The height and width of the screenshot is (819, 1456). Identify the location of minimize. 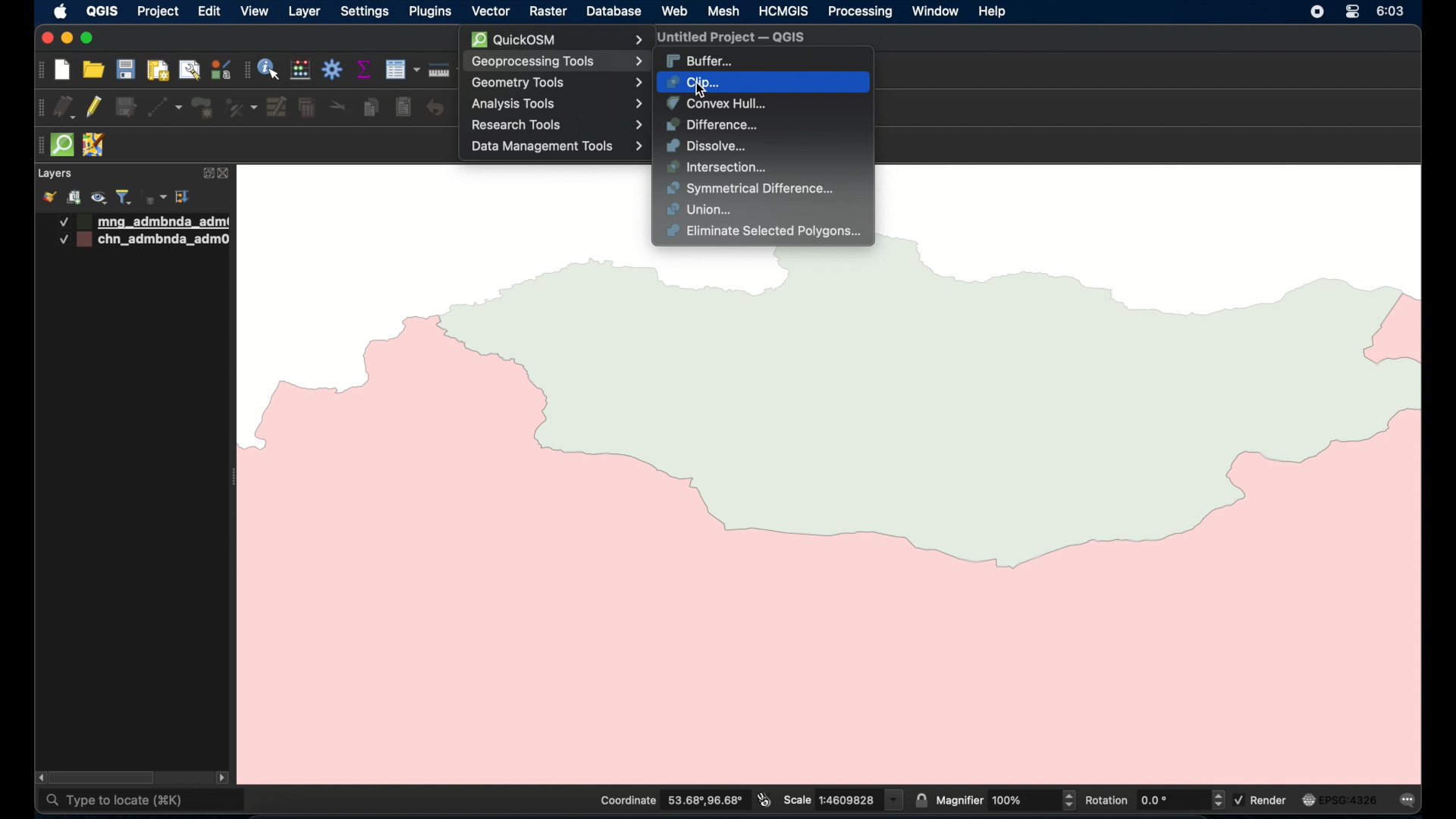
(67, 39).